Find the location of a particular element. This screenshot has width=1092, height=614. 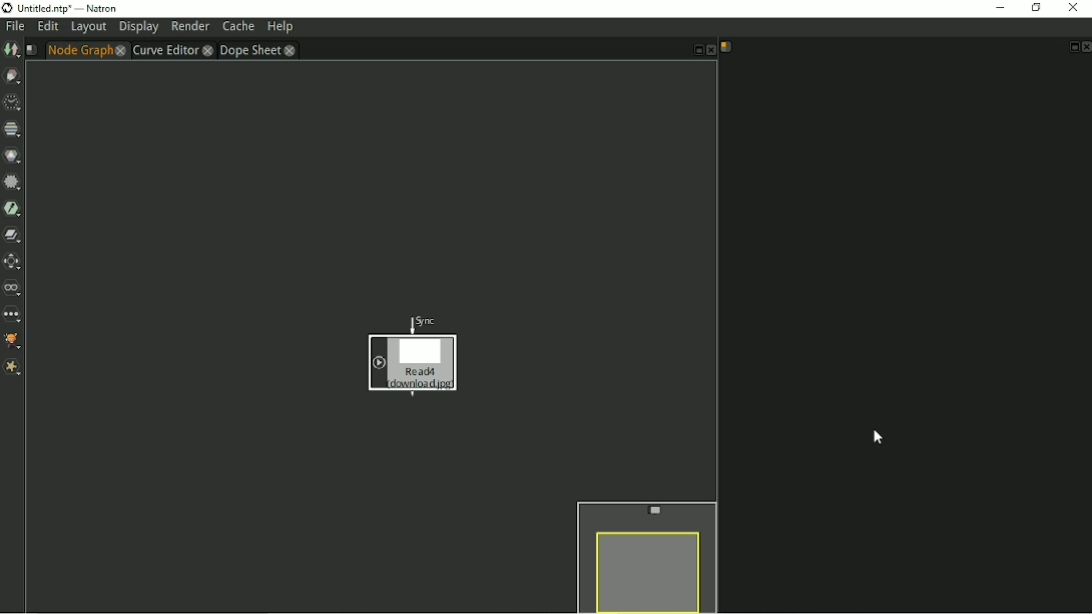

GMIC is located at coordinates (14, 343).